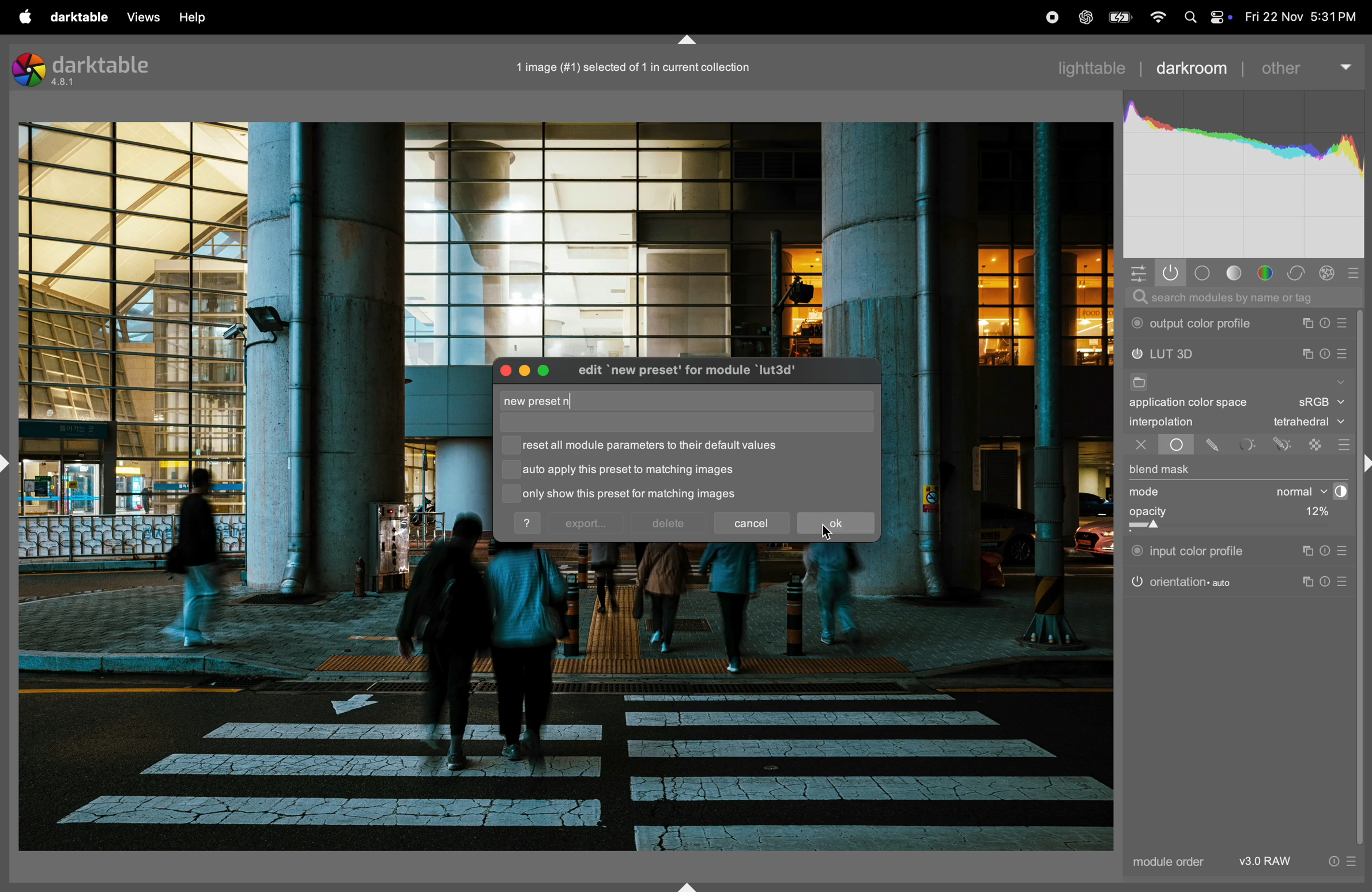  Describe the element at coordinates (1306, 551) in the screenshot. I see `instance` at that location.